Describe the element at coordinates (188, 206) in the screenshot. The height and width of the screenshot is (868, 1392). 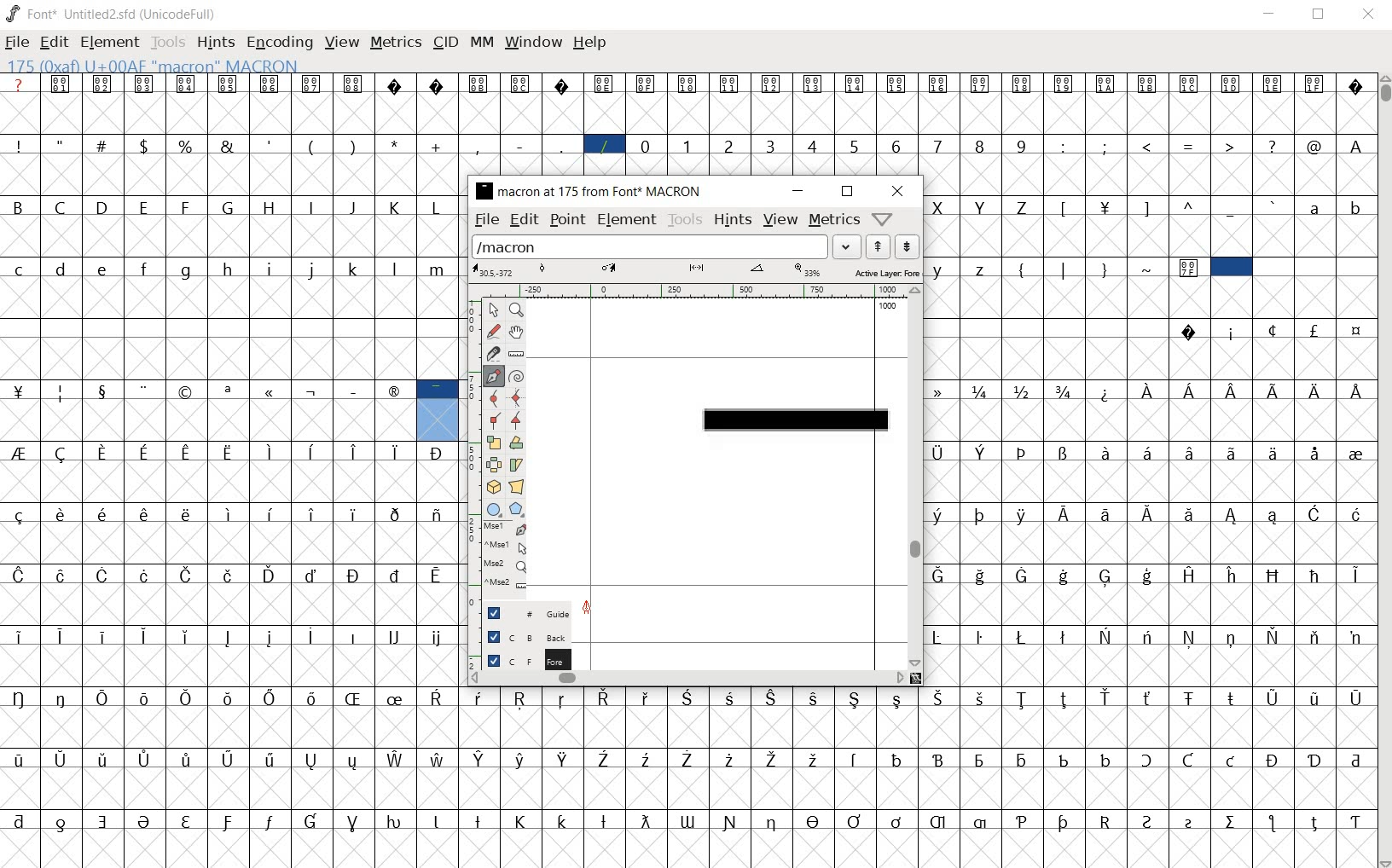
I see `F` at that location.